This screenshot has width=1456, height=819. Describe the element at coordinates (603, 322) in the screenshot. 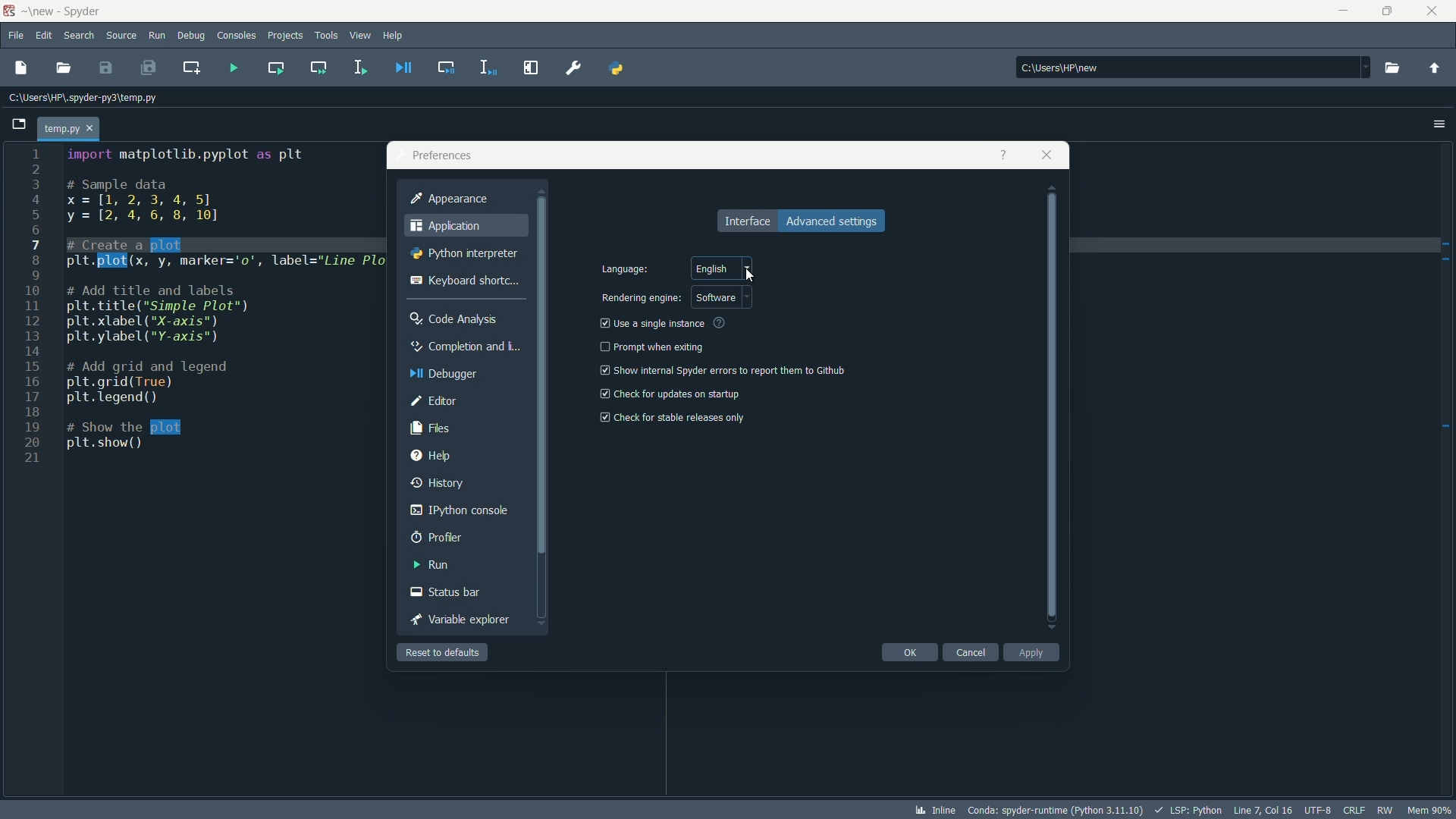

I see `checkbox` at that location.